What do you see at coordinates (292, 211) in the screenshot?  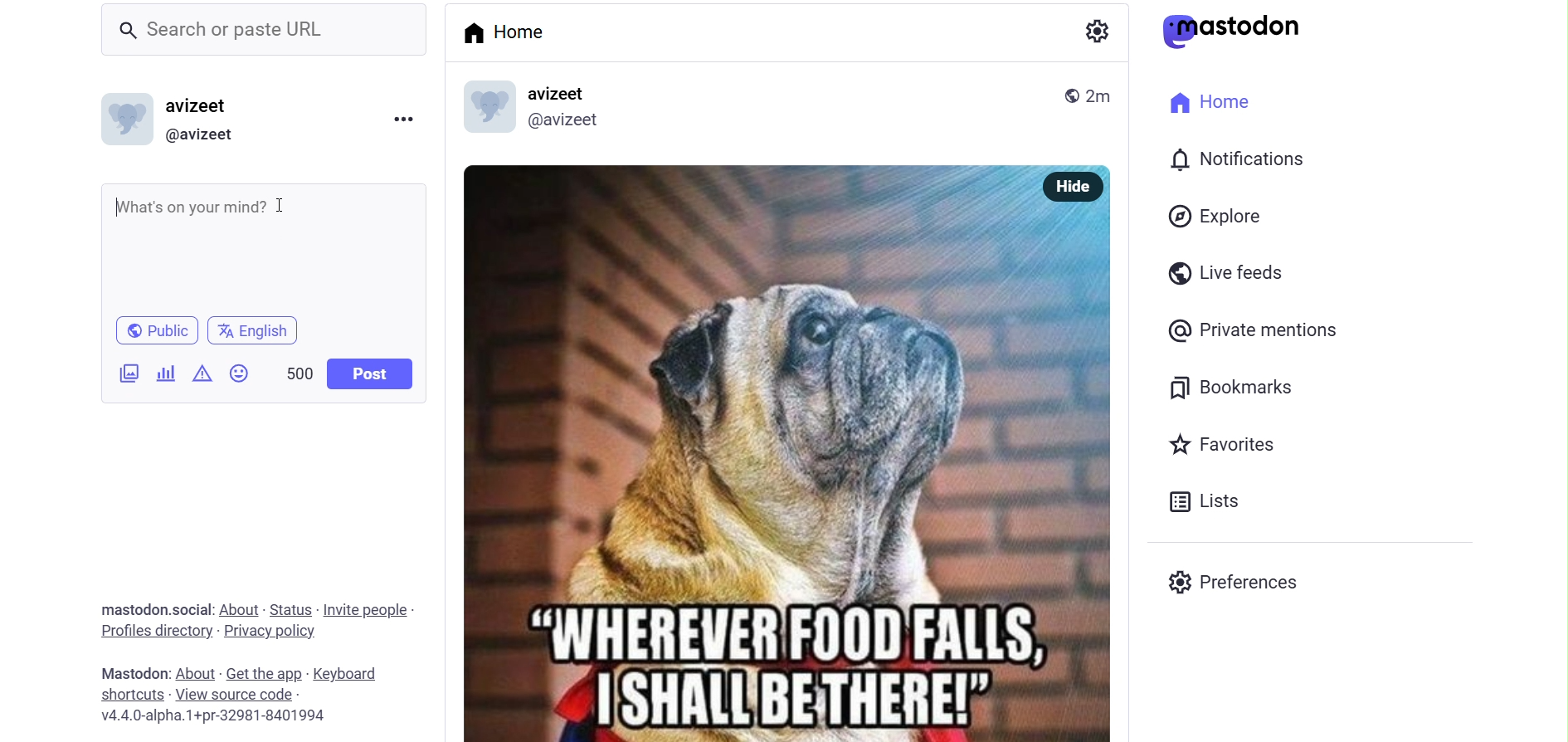 I see `cursor` at bounding box center [292, 211].